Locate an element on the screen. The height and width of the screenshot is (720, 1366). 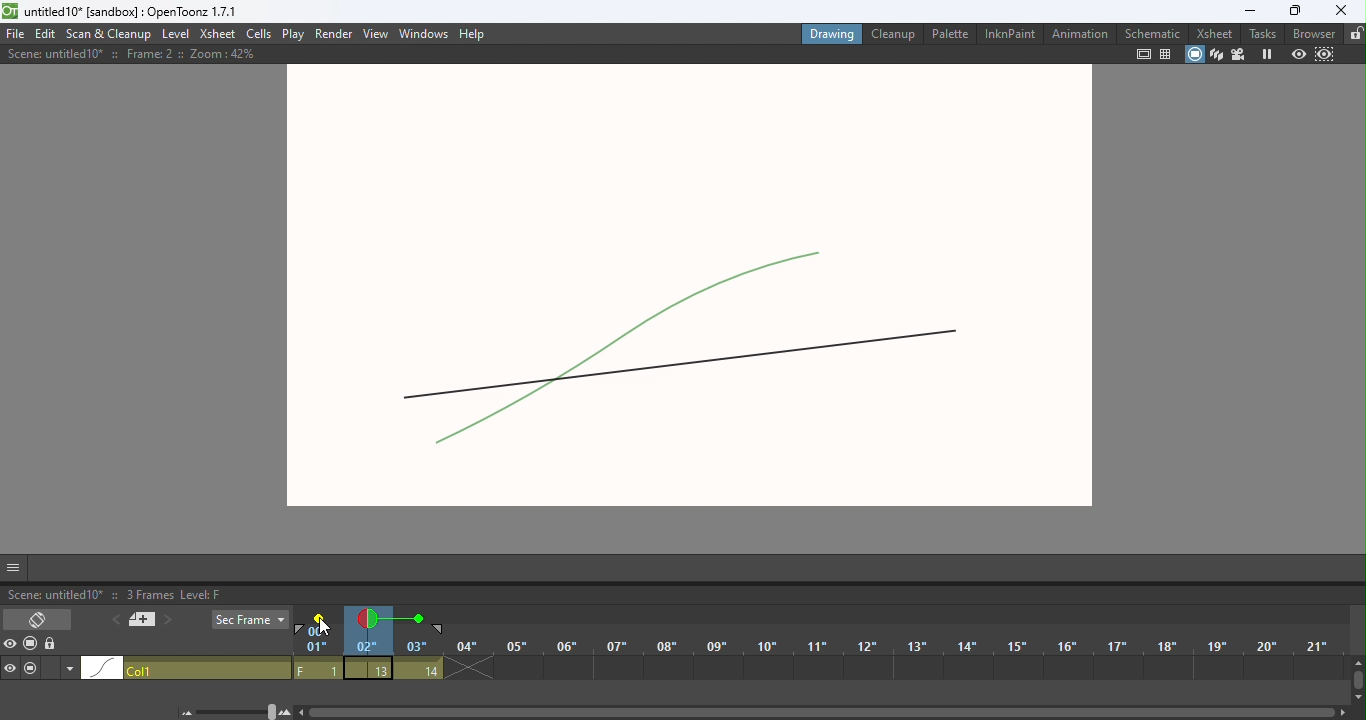
View is located at coordinates (377, 33).